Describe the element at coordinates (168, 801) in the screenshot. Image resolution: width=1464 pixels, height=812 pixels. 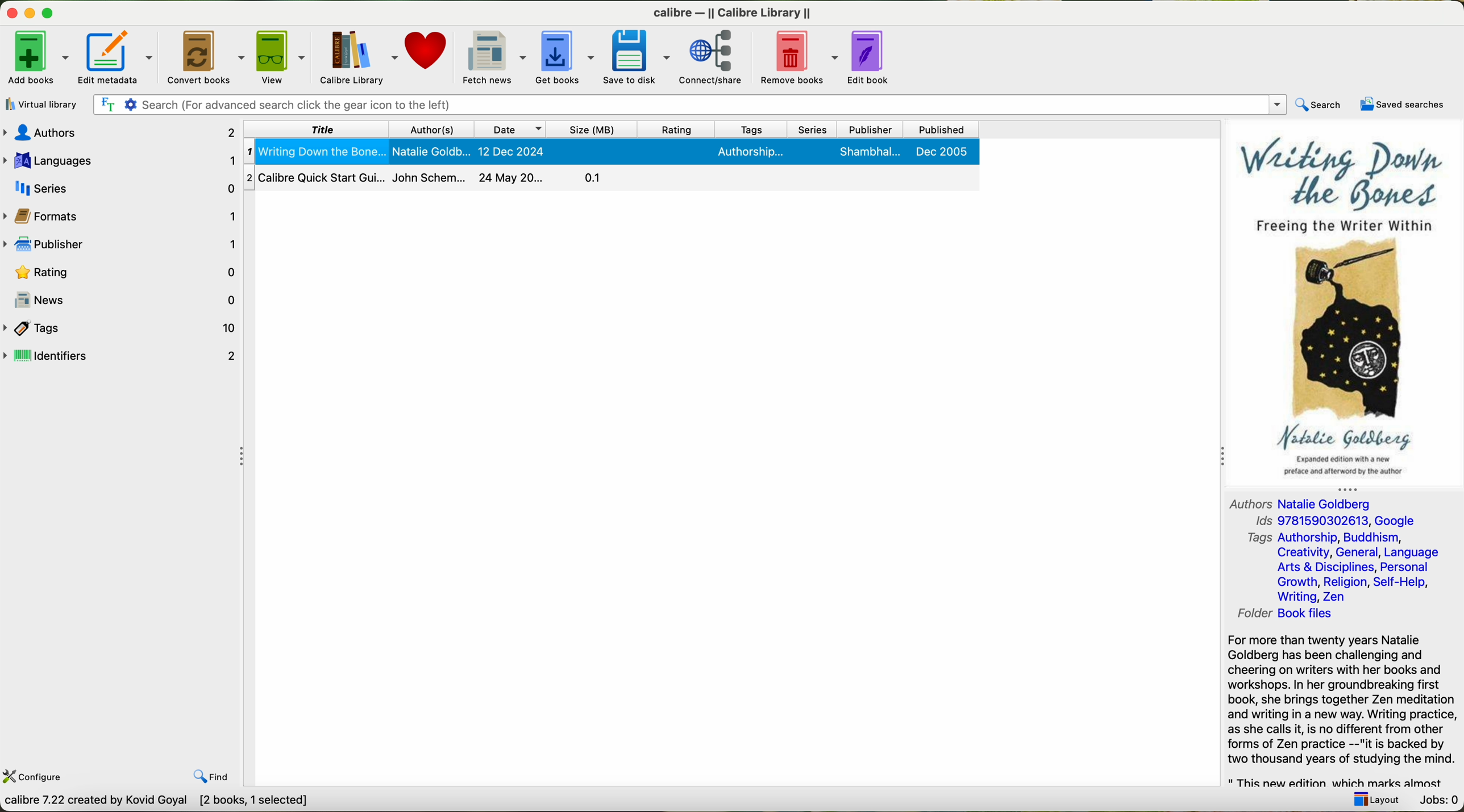
I see `Callibre 7.22 created by Kavid Goyal [0 books]` at that location.